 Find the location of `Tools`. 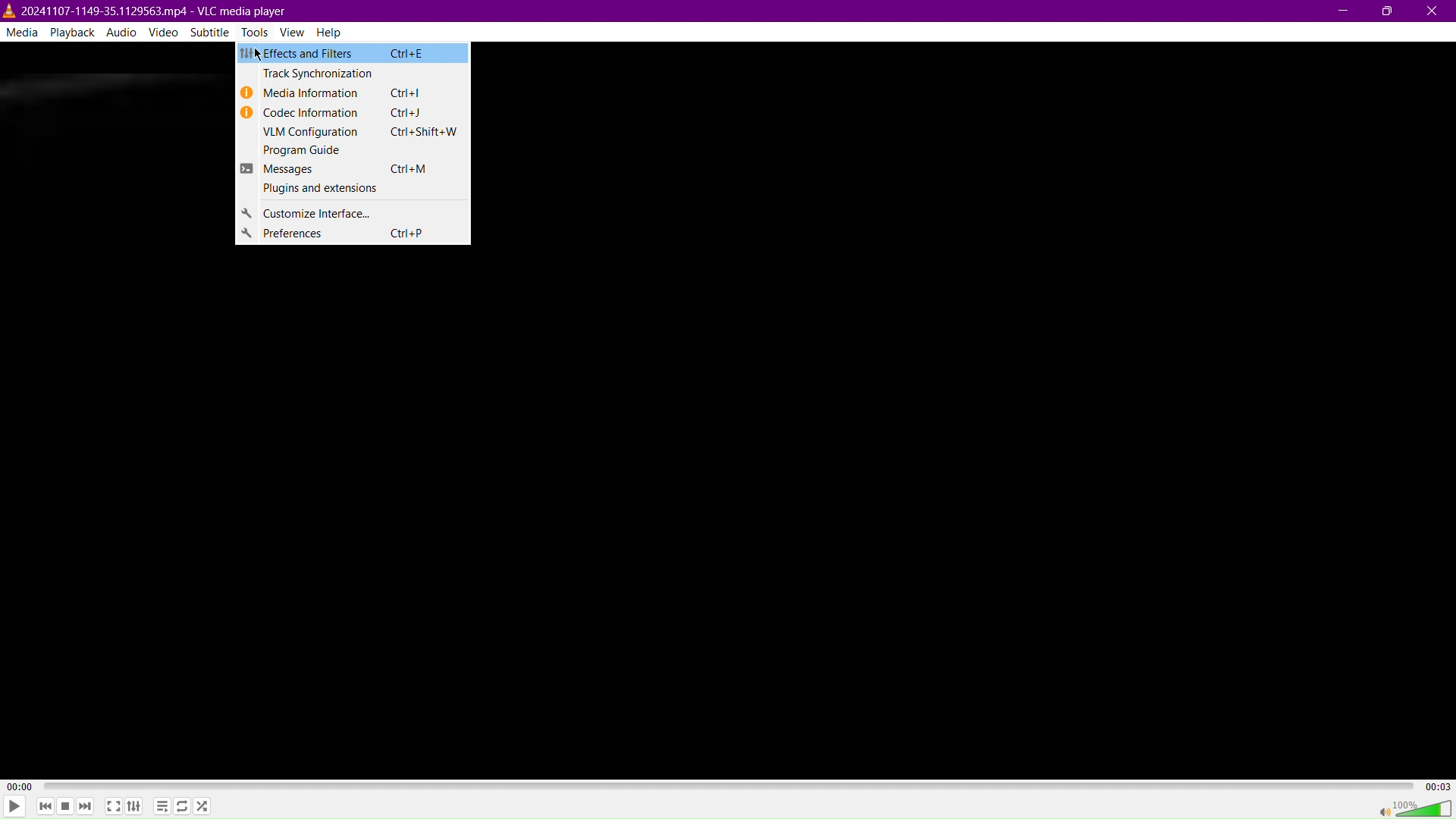

Tools is located at coordinates (257, 33).